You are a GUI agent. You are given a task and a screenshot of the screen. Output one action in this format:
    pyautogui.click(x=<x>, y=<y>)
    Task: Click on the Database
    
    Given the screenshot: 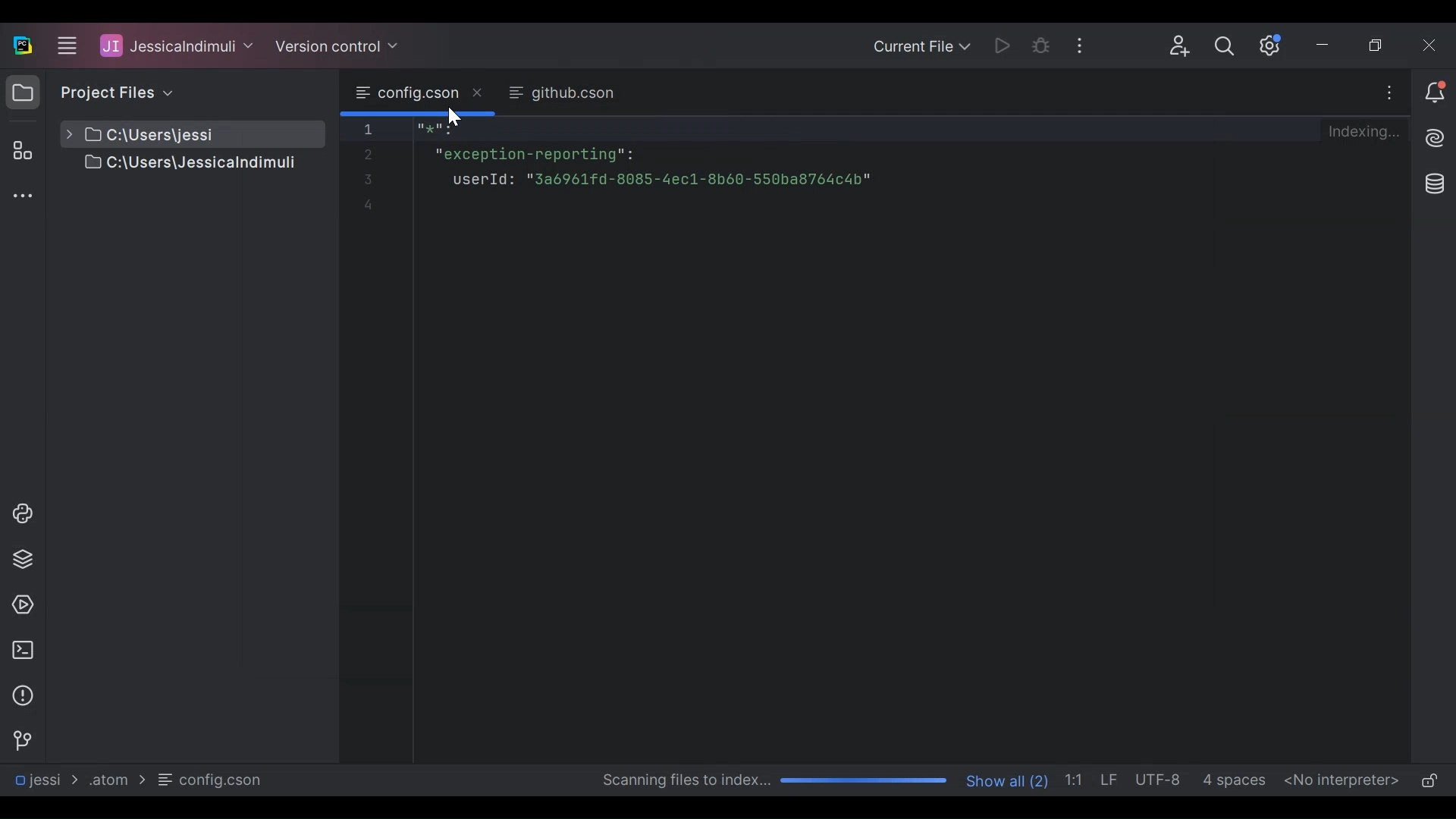 What is the action you would take?
    pyautogui.click(x=1436, y=185)
    